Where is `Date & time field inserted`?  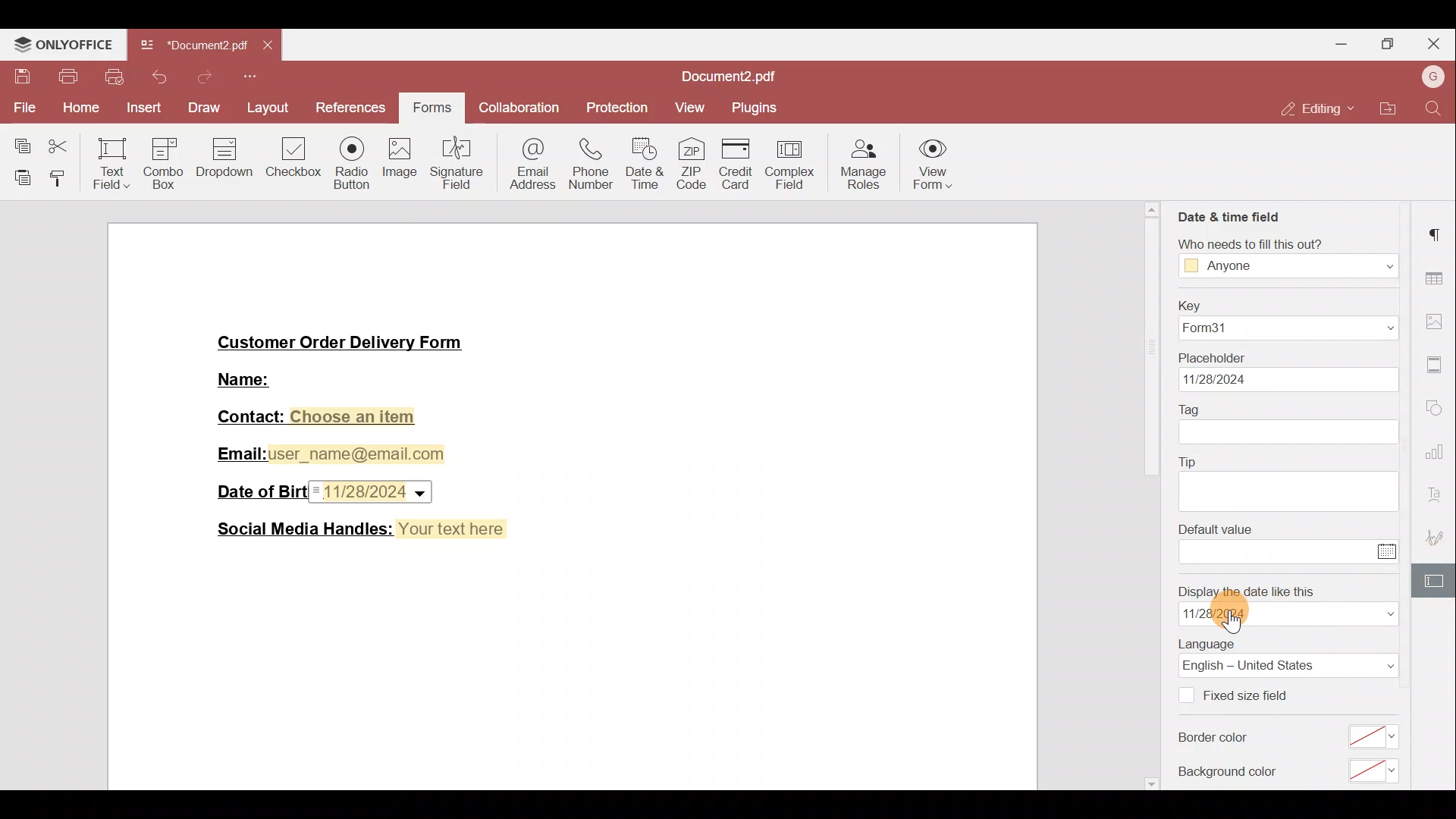
Date & time field inserted is located at coordinates (374, 492).